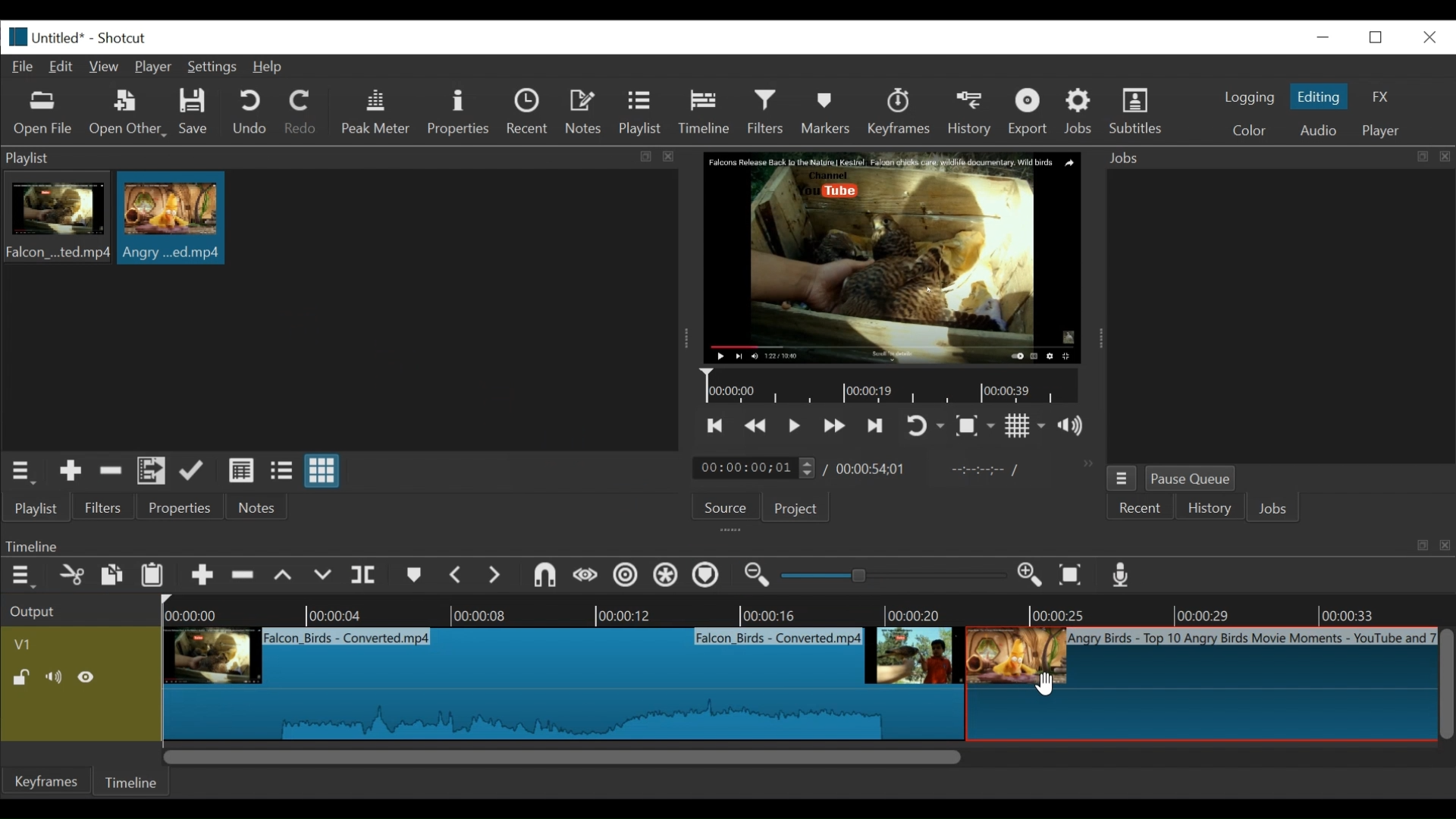  Describe the element at coordinates (334, 158) in the screenshot. I see `playlist panel` at that location.